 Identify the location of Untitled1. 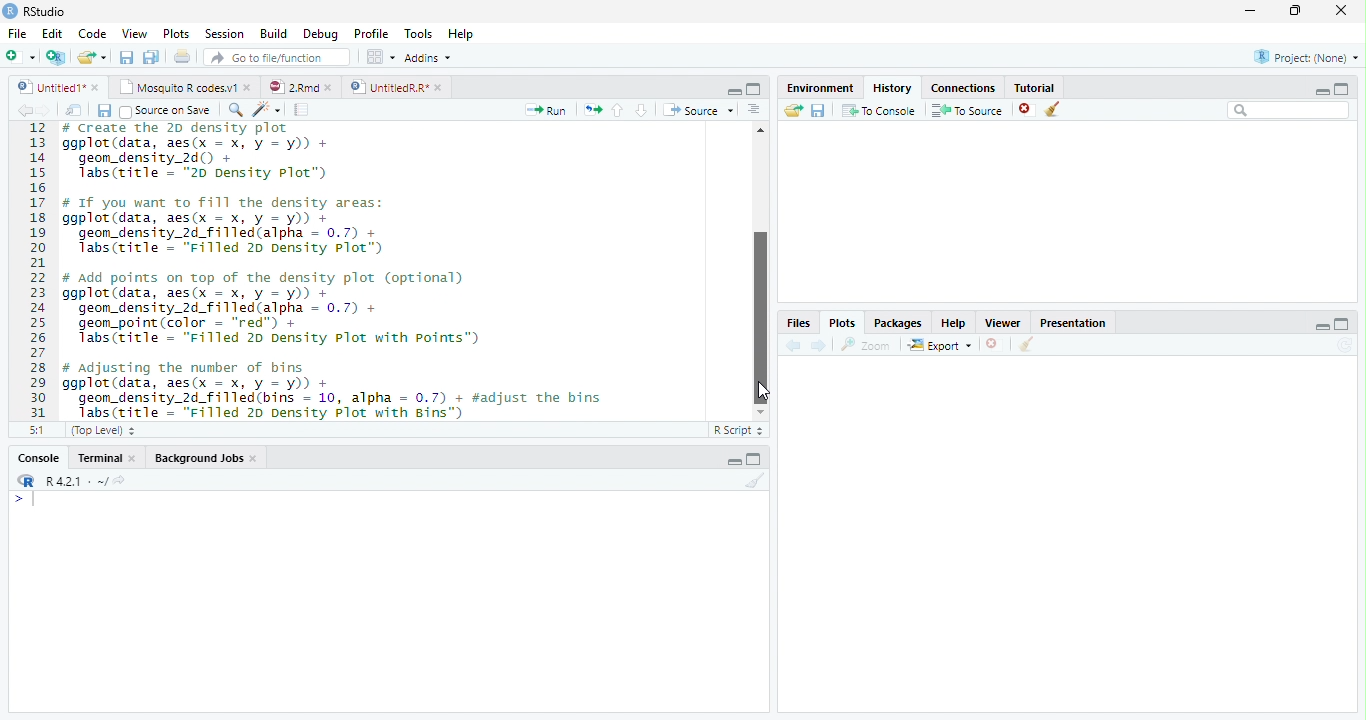
(46, 87).